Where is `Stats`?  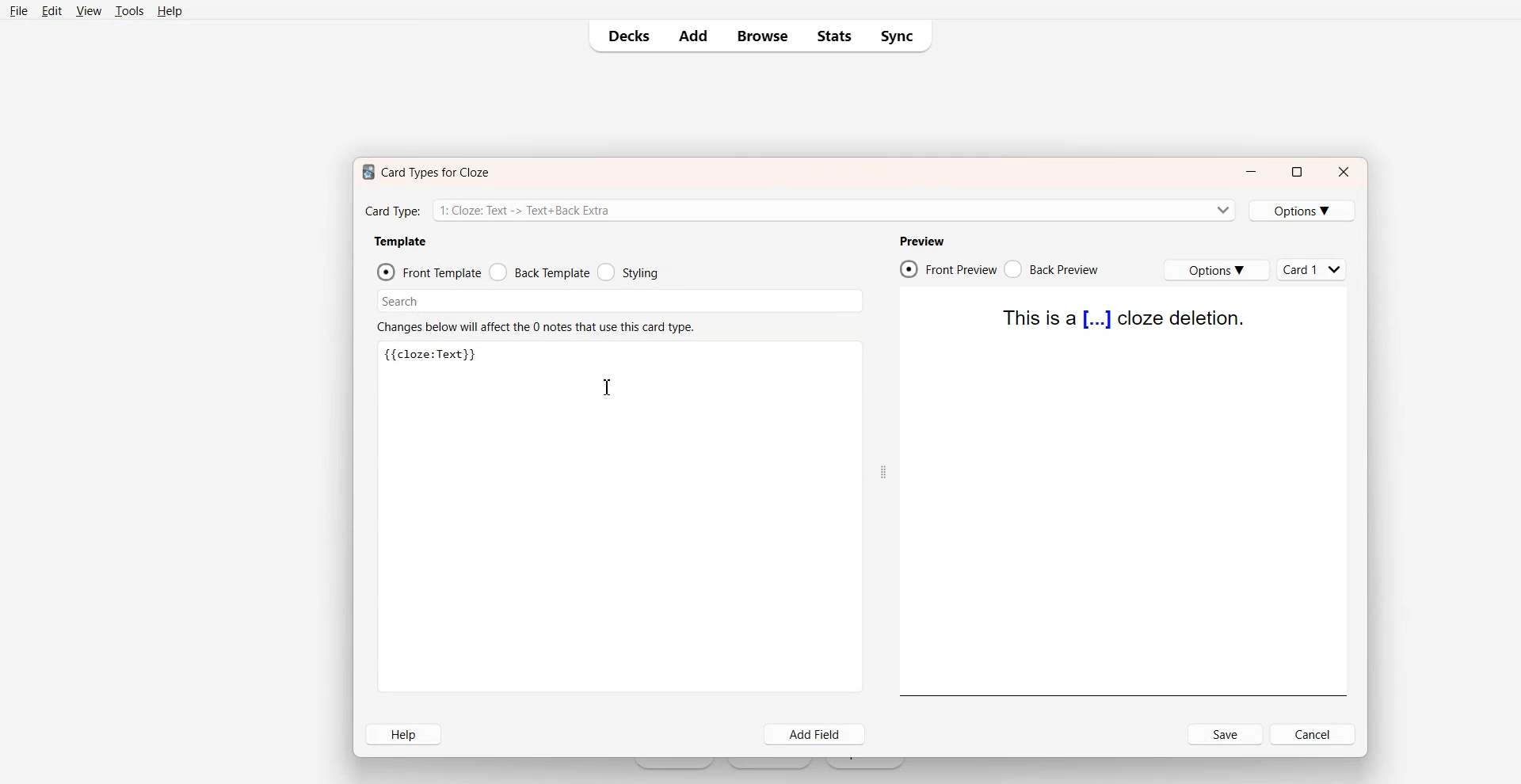
Stats is located at coordinates (833, 36).